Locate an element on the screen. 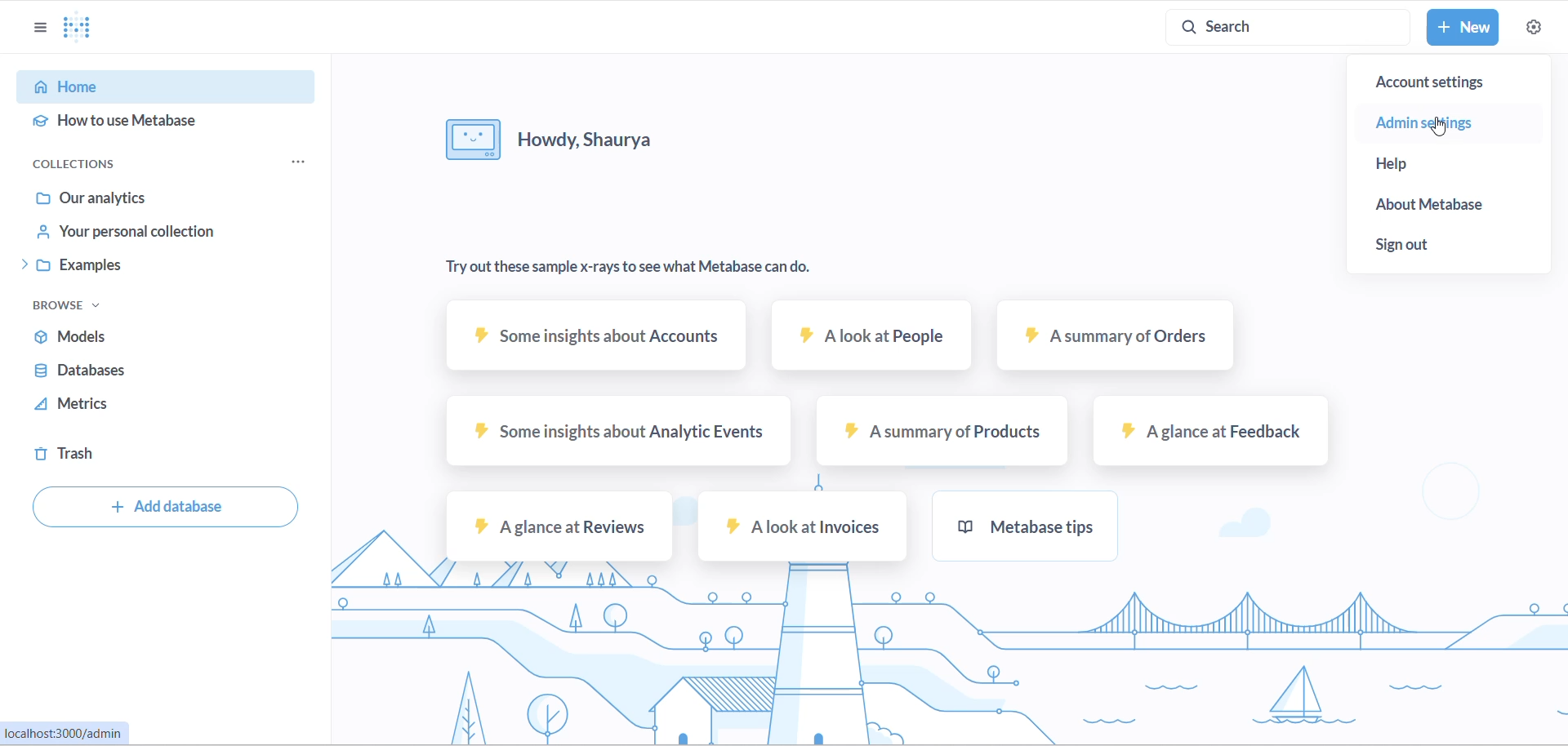  OUR ANALYTICS is located at coordinates (124, 200).